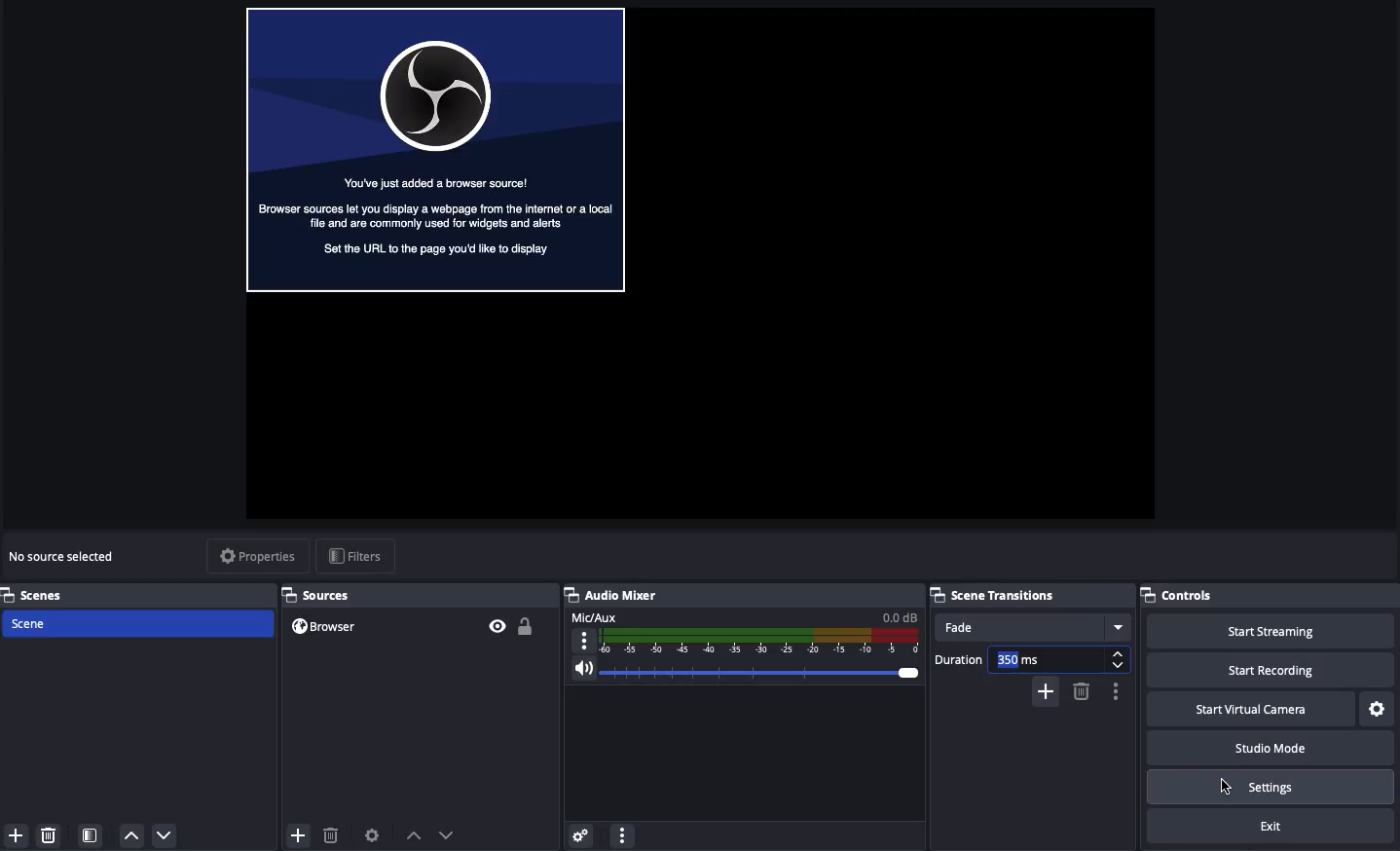 This screenshot has height=851, width=1400. Describe the element at coordinates (91, 835) in the screenshot. I see `Scene filter` at that location.